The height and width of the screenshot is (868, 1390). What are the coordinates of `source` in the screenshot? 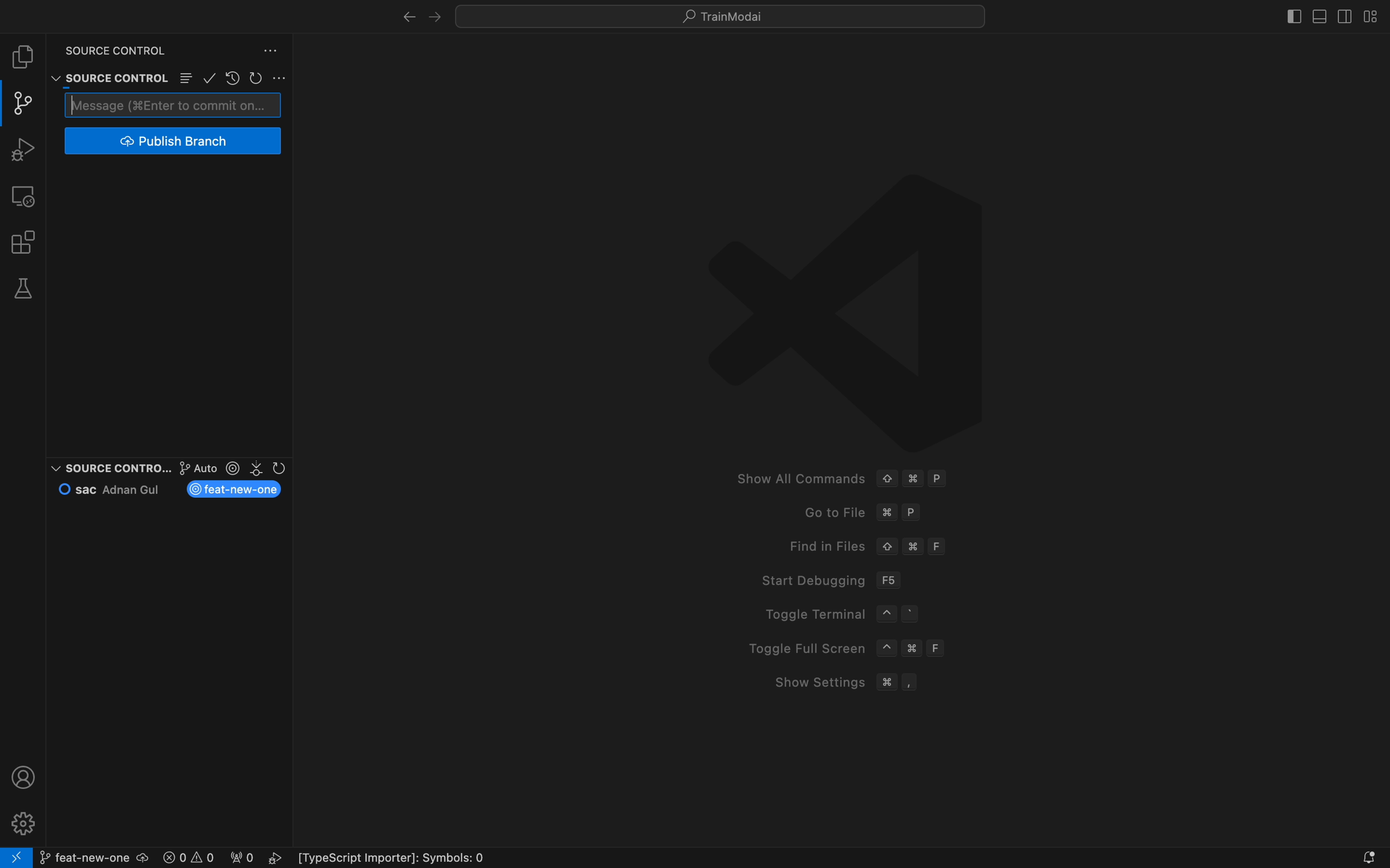 It's located at (107, 47).